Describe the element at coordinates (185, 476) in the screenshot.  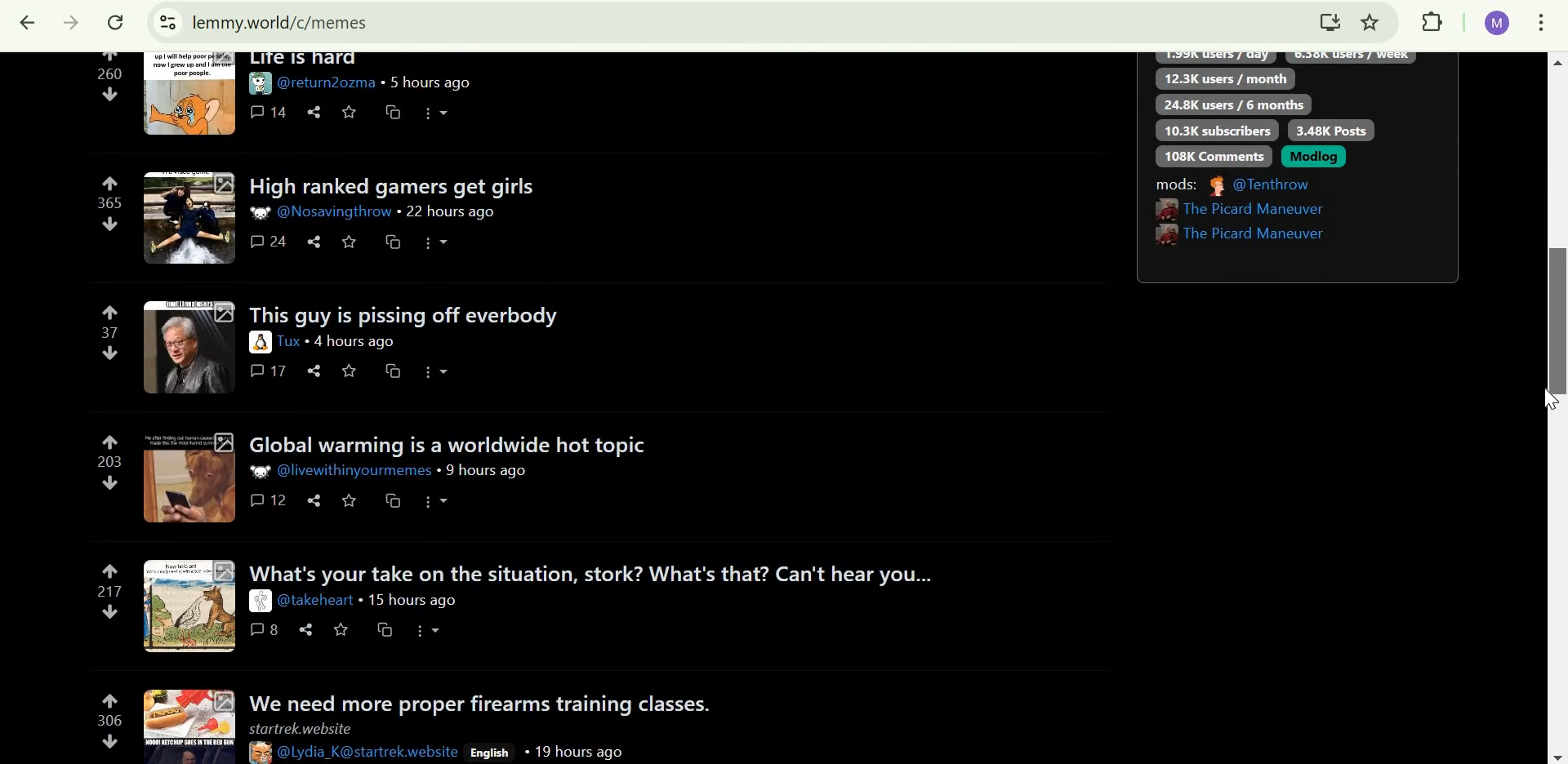
I see `expand here` at that location.